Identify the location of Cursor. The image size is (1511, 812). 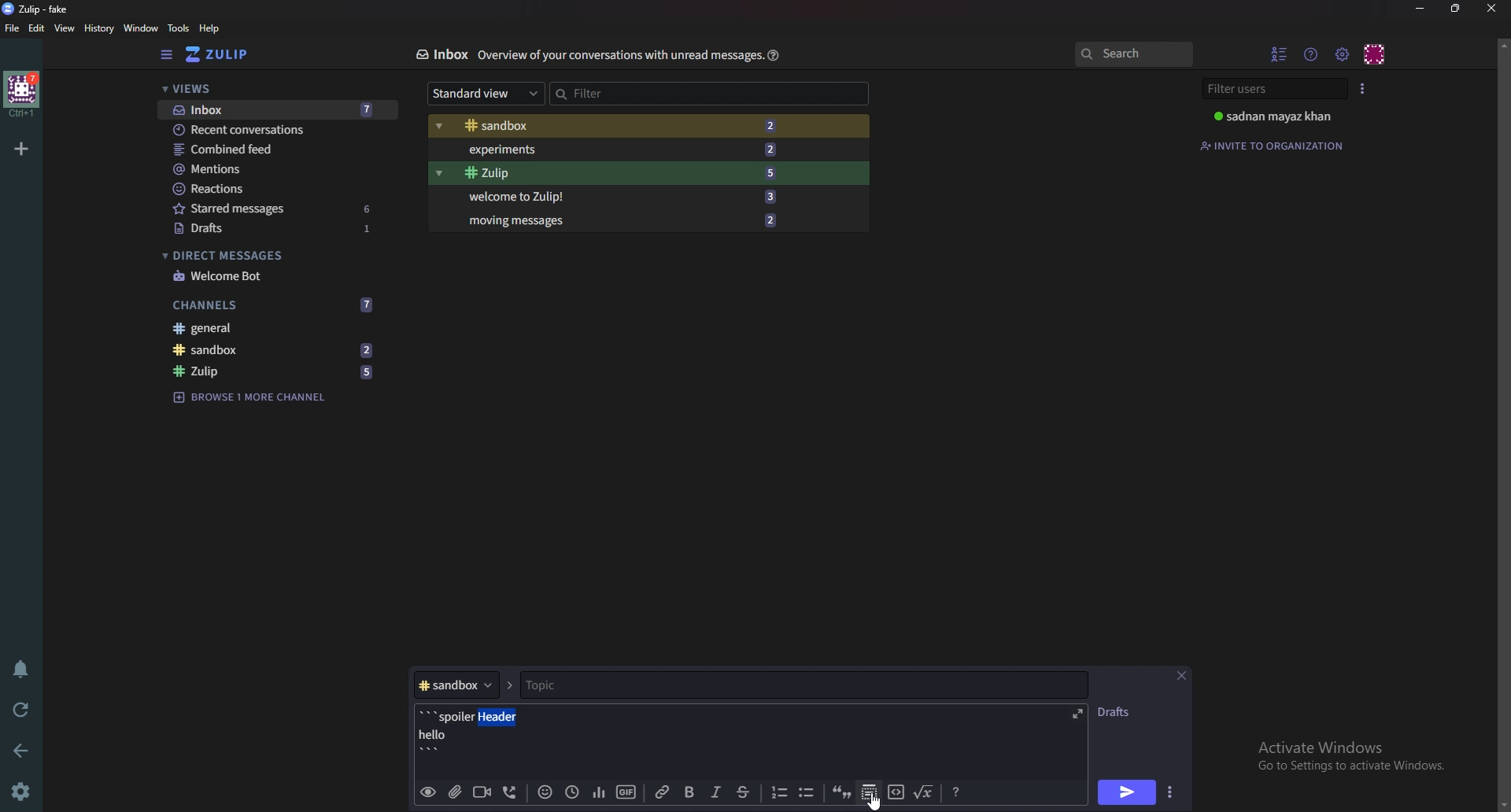
(875, 803).